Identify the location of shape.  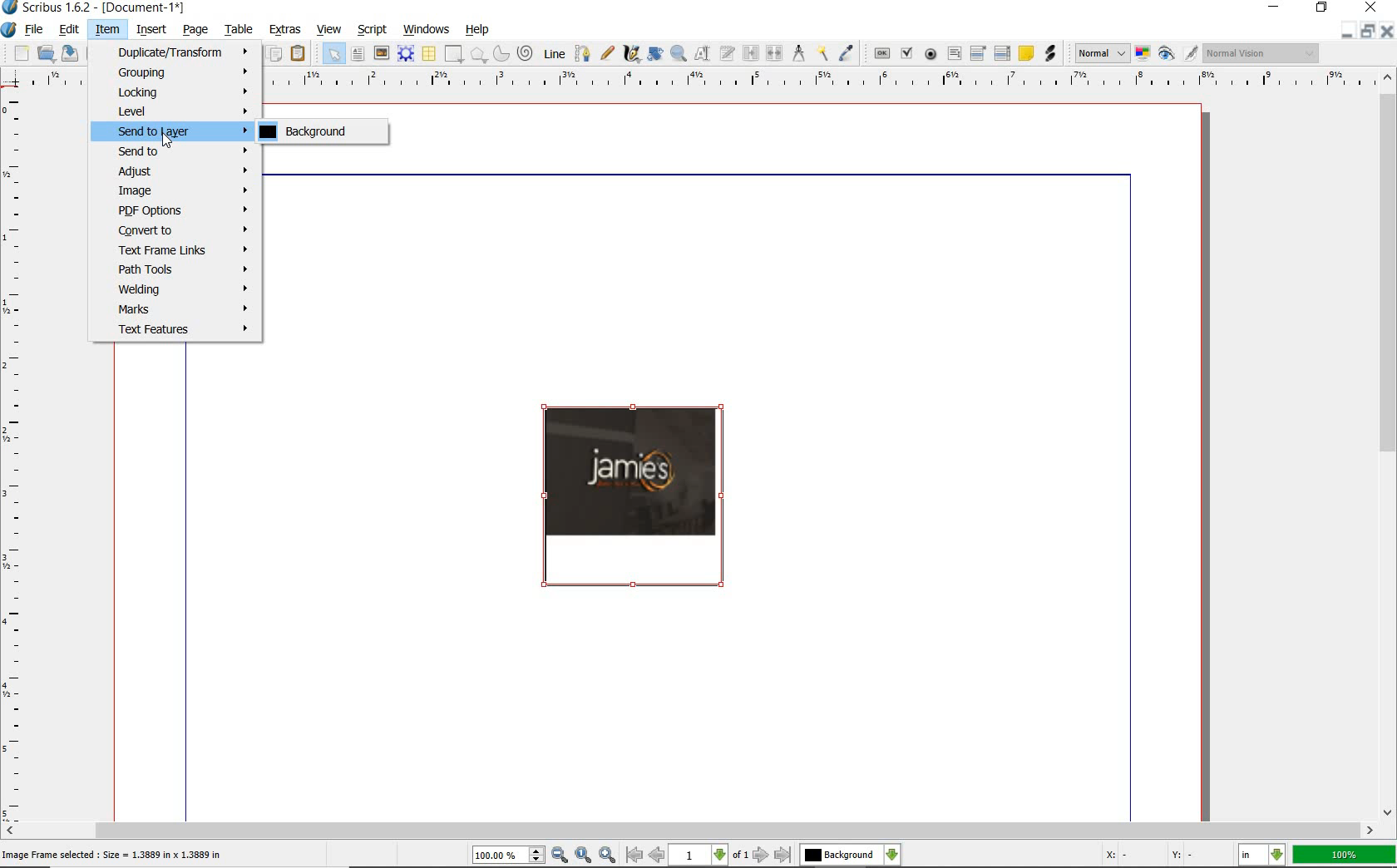
(455, 52).